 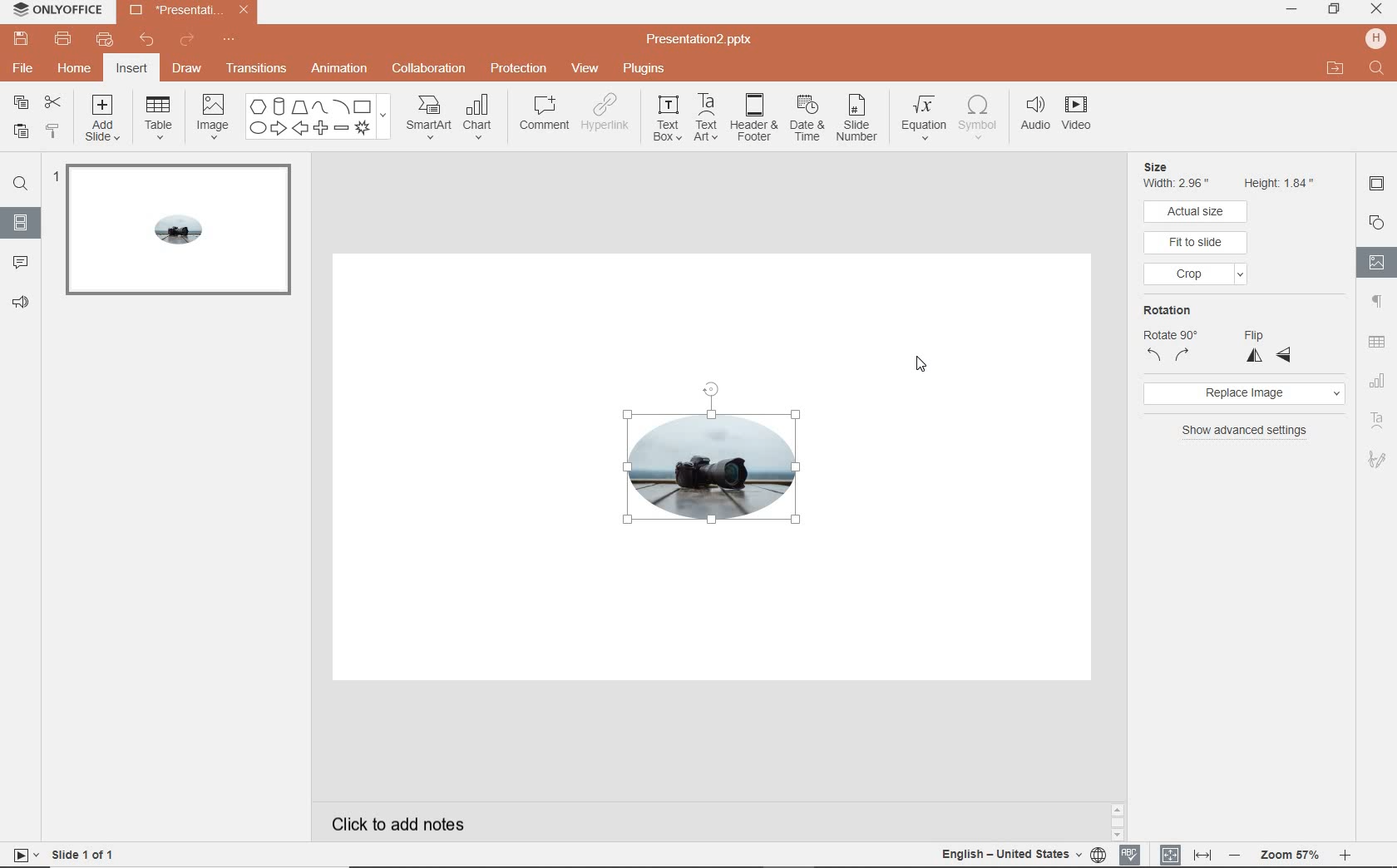 I want to click on print, so click(x=64, y=39).